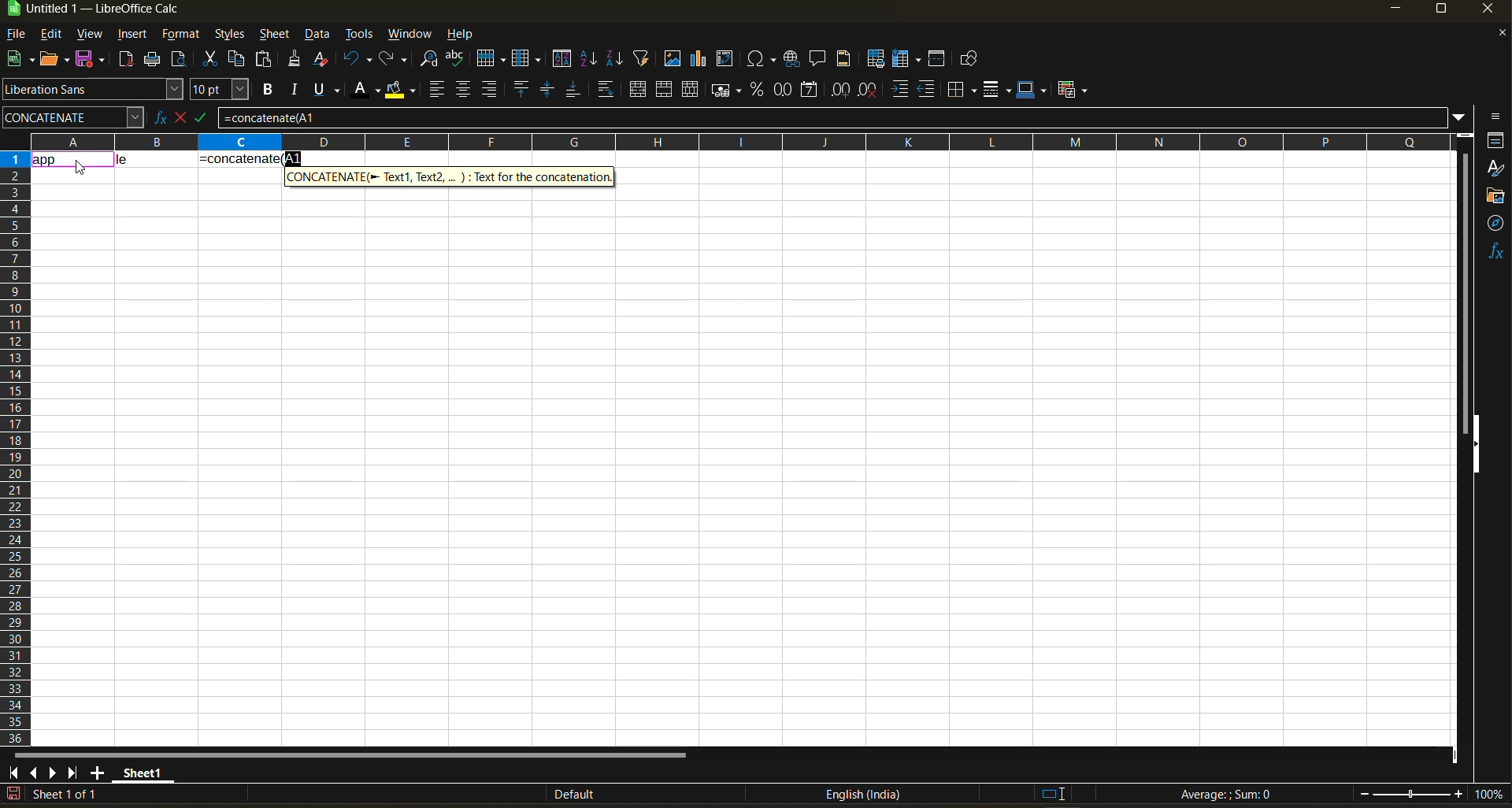  I want to click on function wizard, so click(155, 117).